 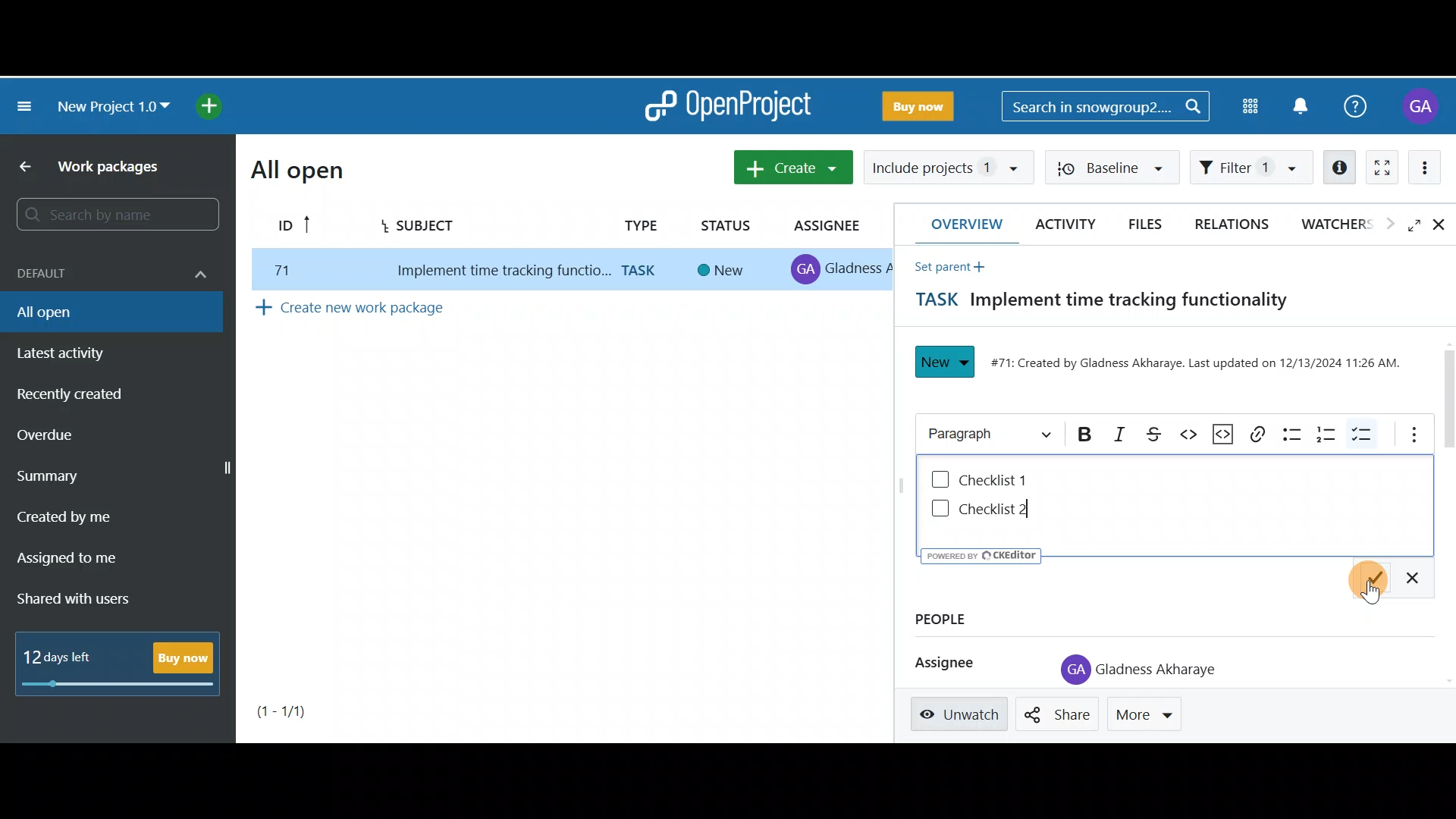 I want to click on Exit, so click(x=1420, y=579).